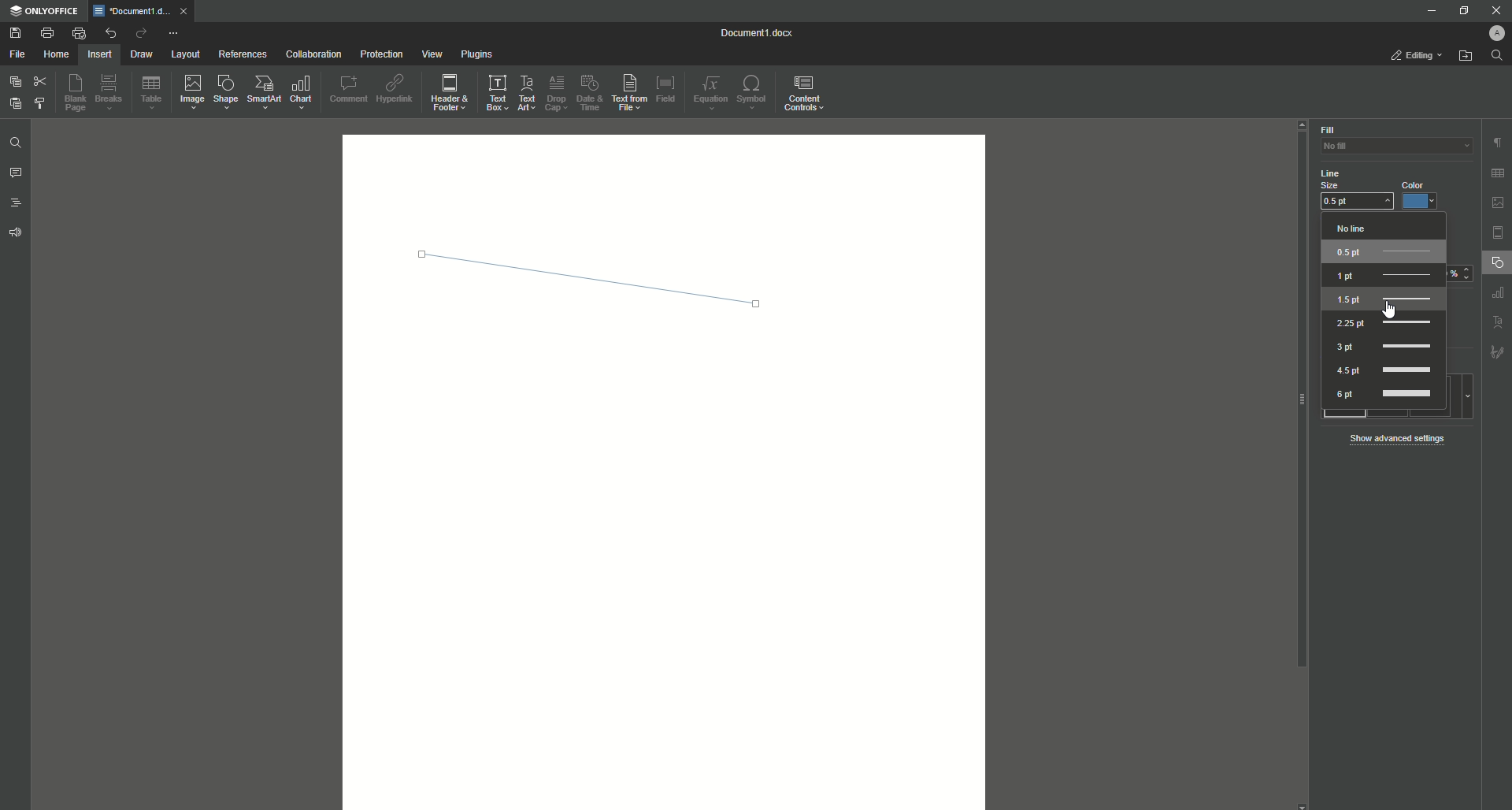 This screenshot has height=810, width=1512. I want to click on Chart, so click(306, 92).